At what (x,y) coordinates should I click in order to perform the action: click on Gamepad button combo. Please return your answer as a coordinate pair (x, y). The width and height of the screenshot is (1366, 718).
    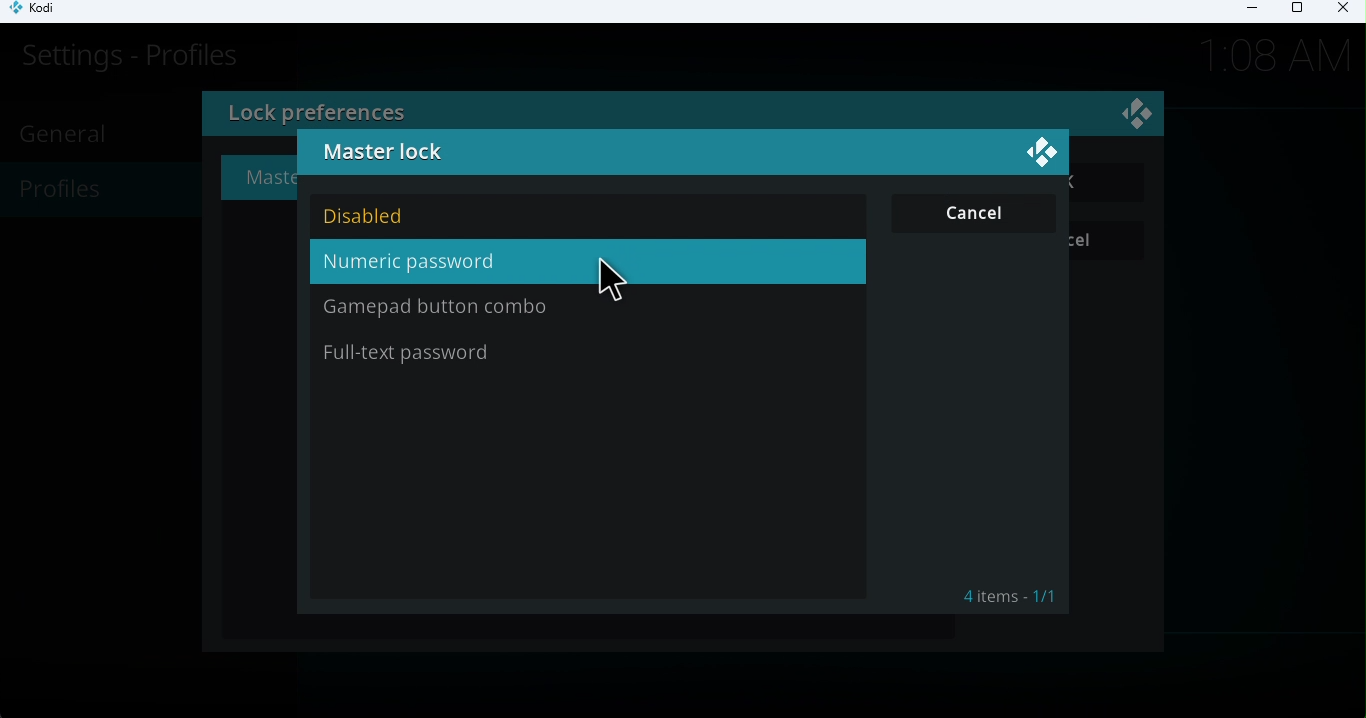
    Looking at the image, I should click on (440, 309).